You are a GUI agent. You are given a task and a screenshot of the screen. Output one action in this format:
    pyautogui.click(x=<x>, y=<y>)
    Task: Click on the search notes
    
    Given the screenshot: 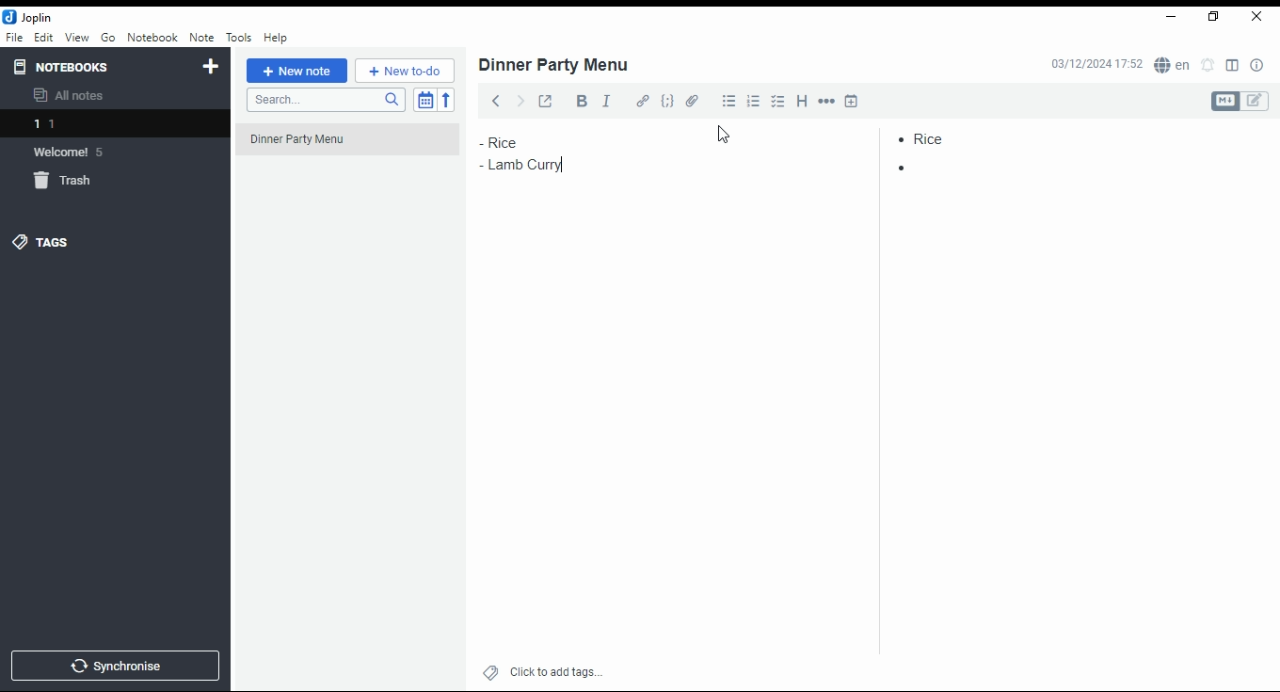 What is the action you would take?
    pyautogui.click(x=324, y=101)
    